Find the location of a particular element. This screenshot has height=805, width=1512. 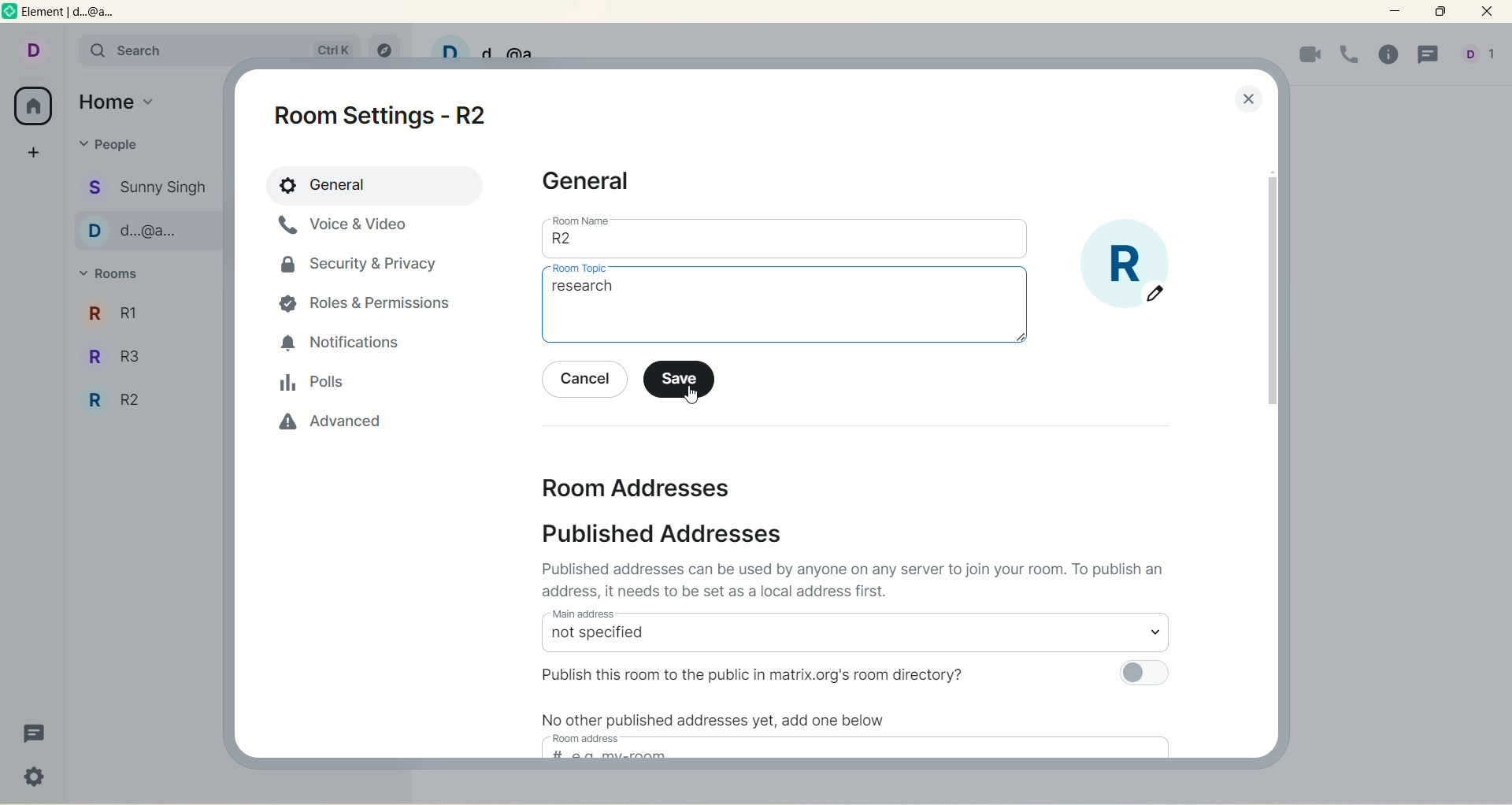

threads is located at coordinates (1428, 57).